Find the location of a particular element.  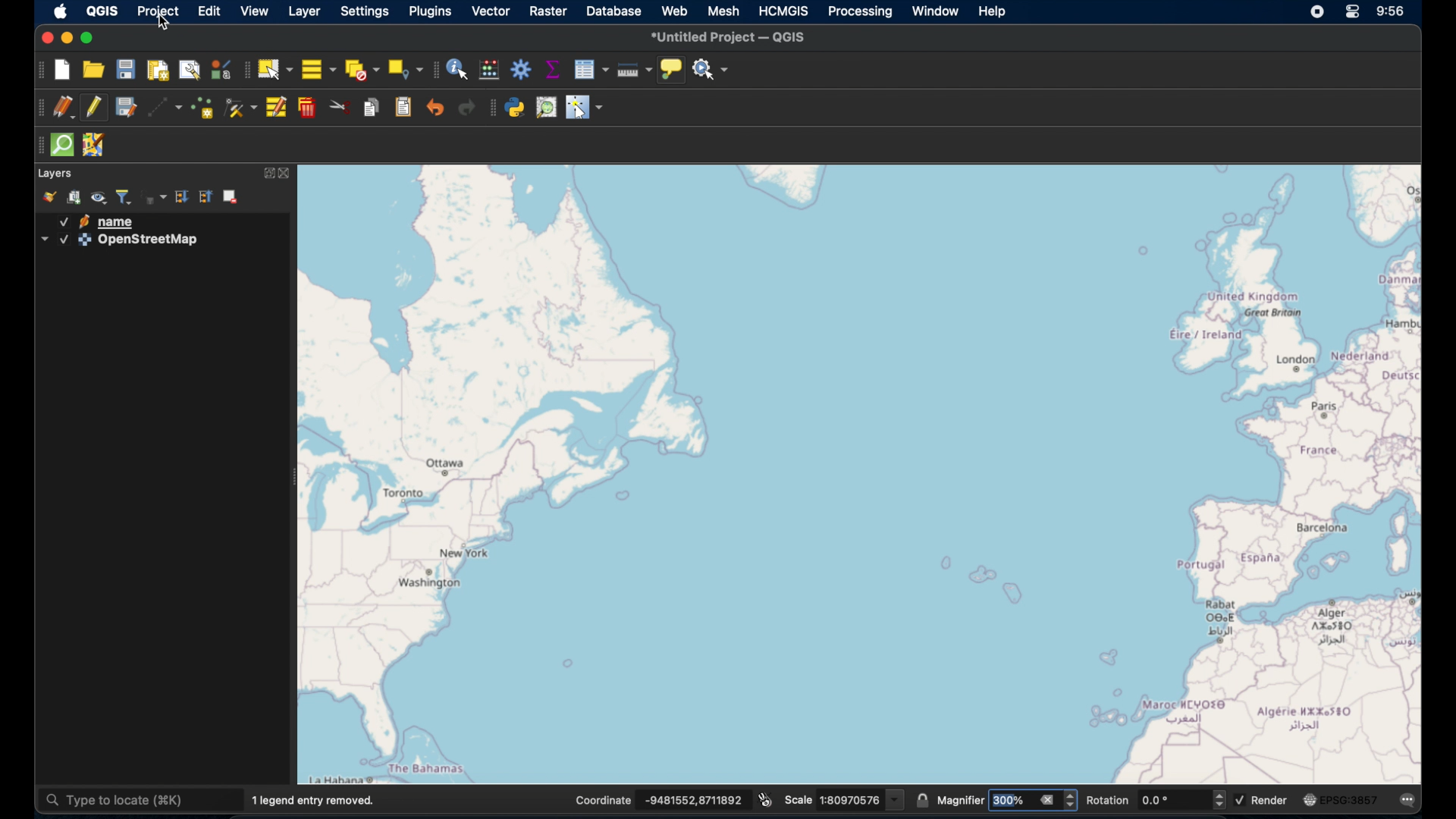

screen recorder icon is located at coordinates (1316, 13).